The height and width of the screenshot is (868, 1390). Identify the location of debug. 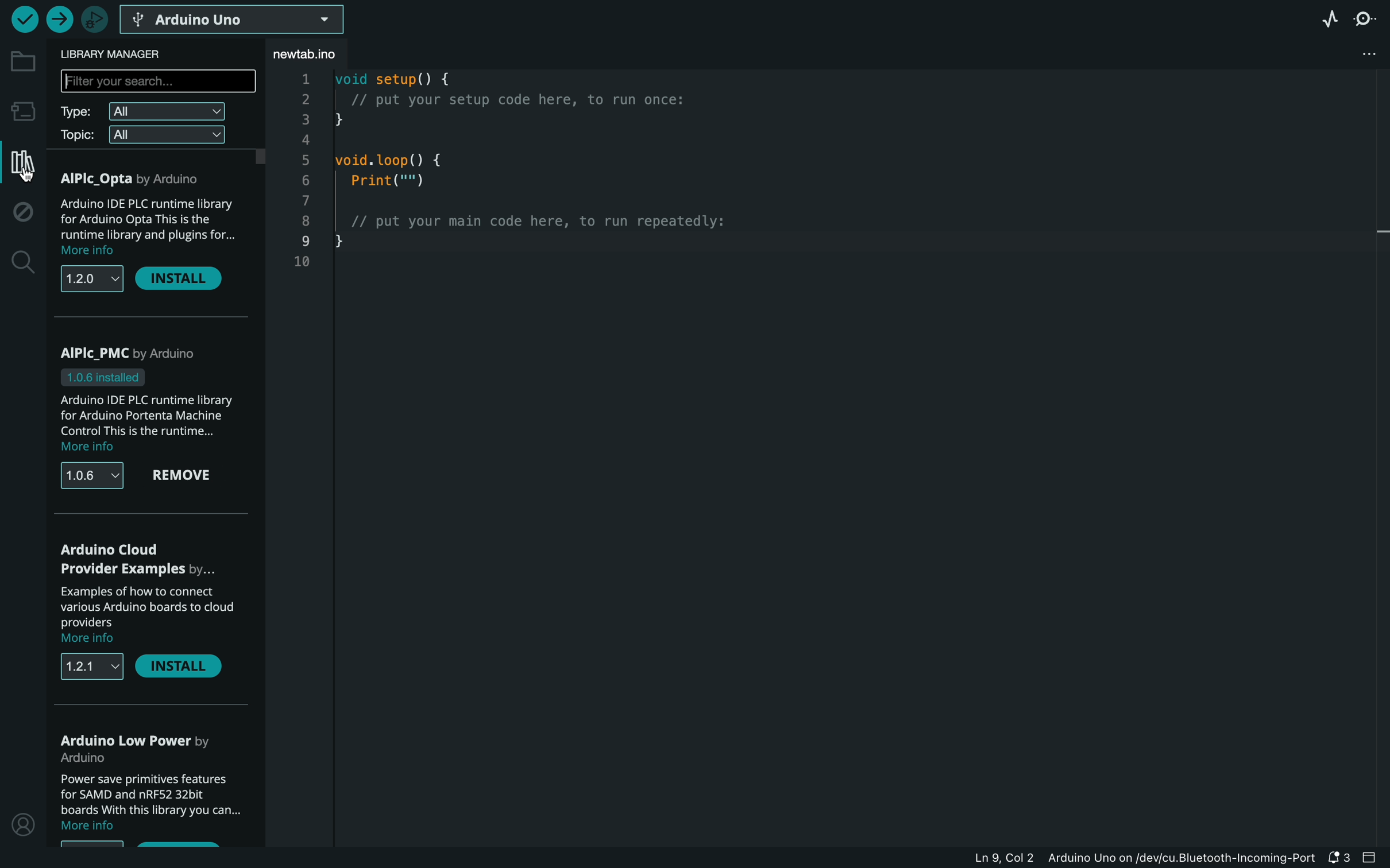
(24, 214).